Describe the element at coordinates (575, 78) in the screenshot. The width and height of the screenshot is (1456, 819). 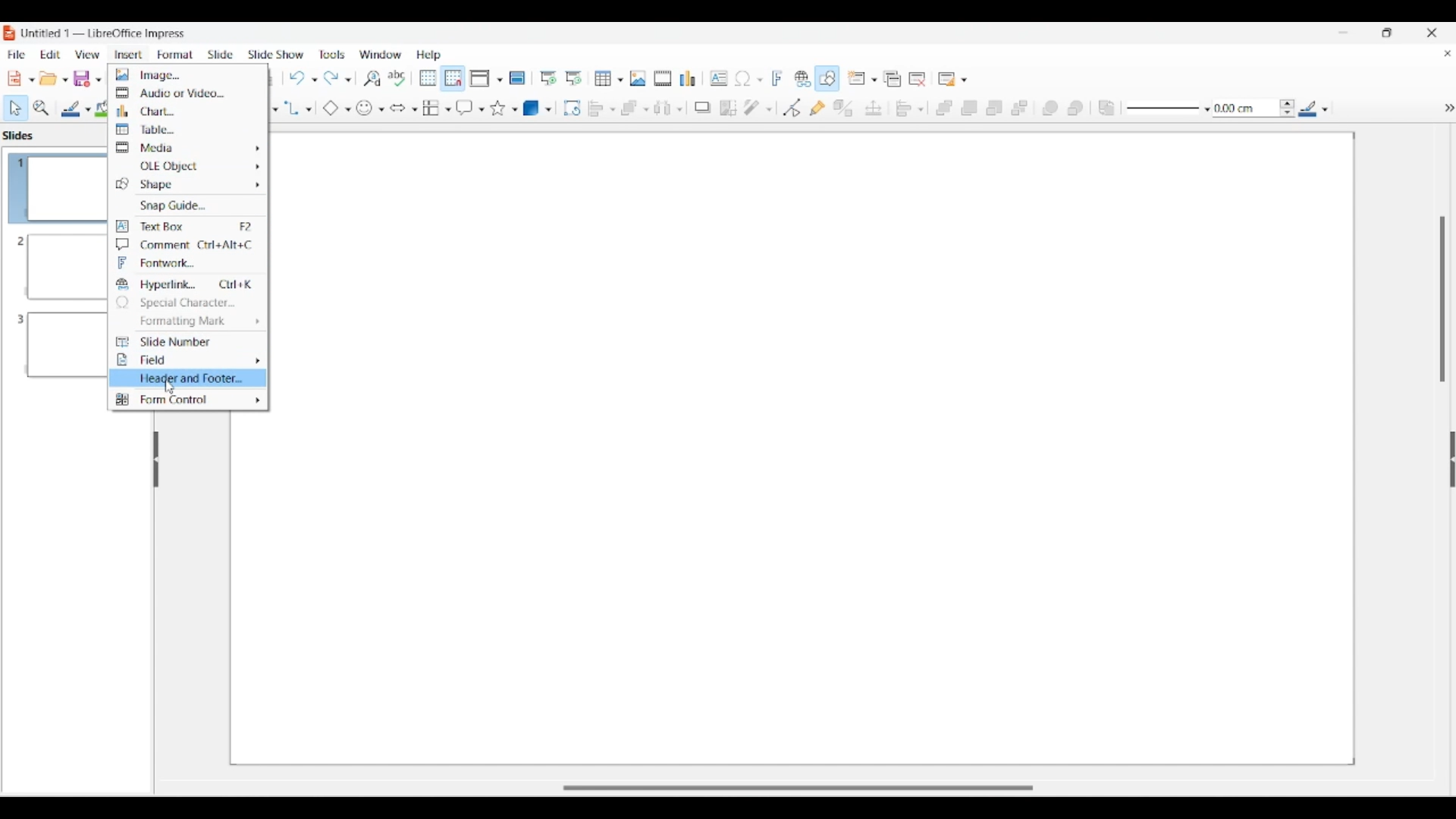
I see `Start from current slide` at that location.